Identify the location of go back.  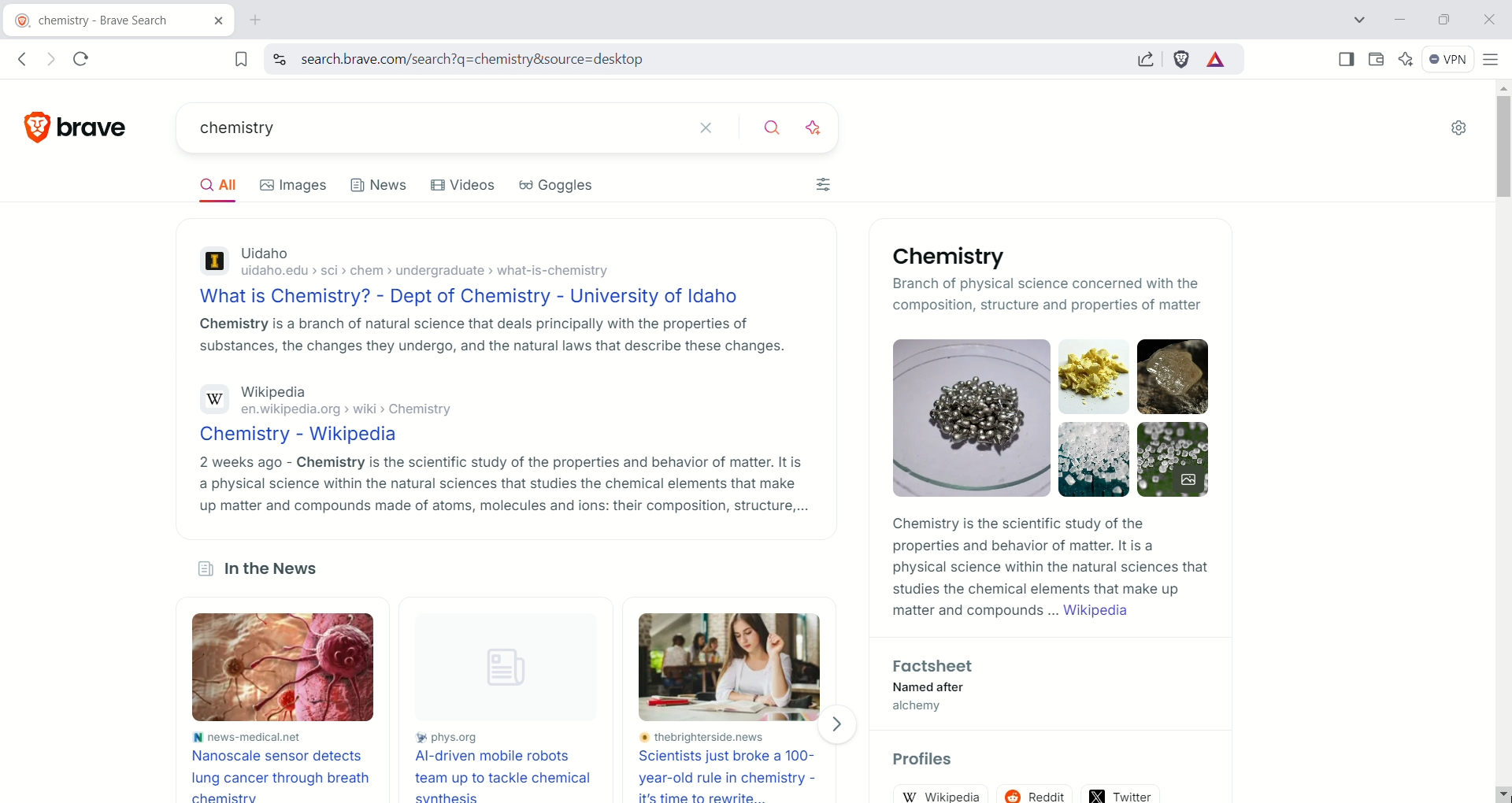
(21, 60).